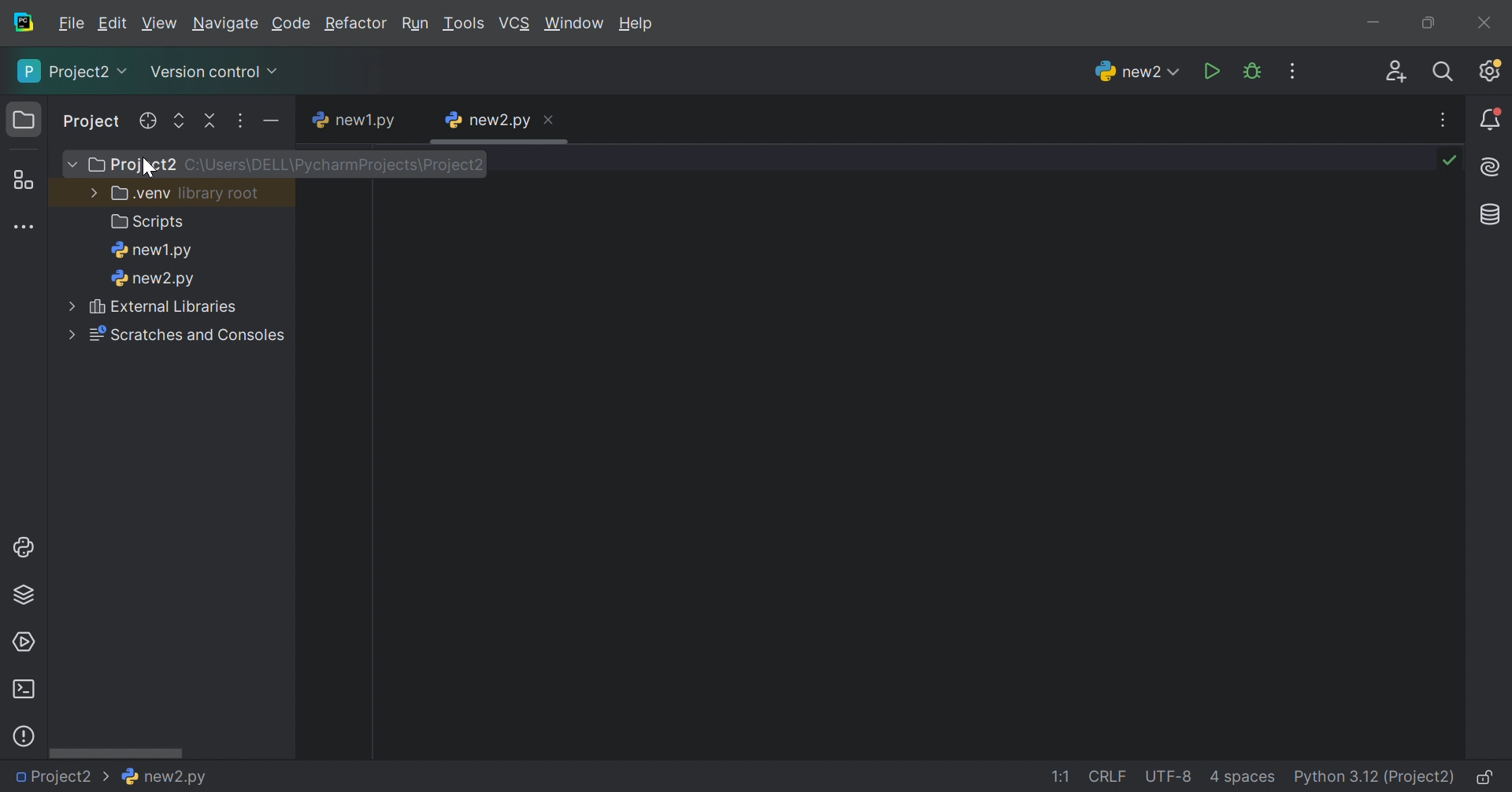 The height and width of the screenshot is (792, 1512). Describe the element at coordinates (1395, 72) in the screenshot. I see `Code with me` at that location.